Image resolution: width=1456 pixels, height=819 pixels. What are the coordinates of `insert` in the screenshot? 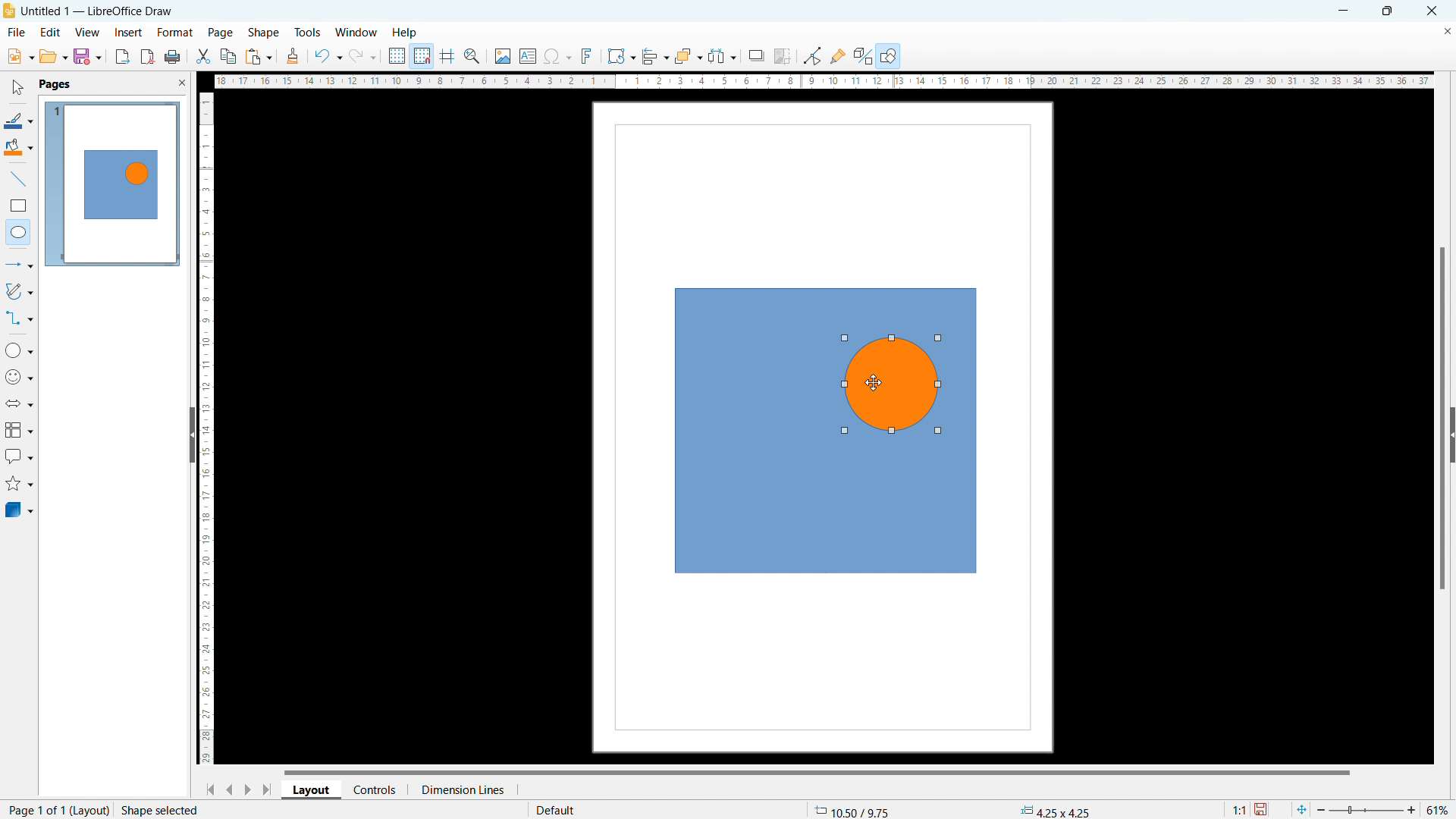 It's located at (129, 33).